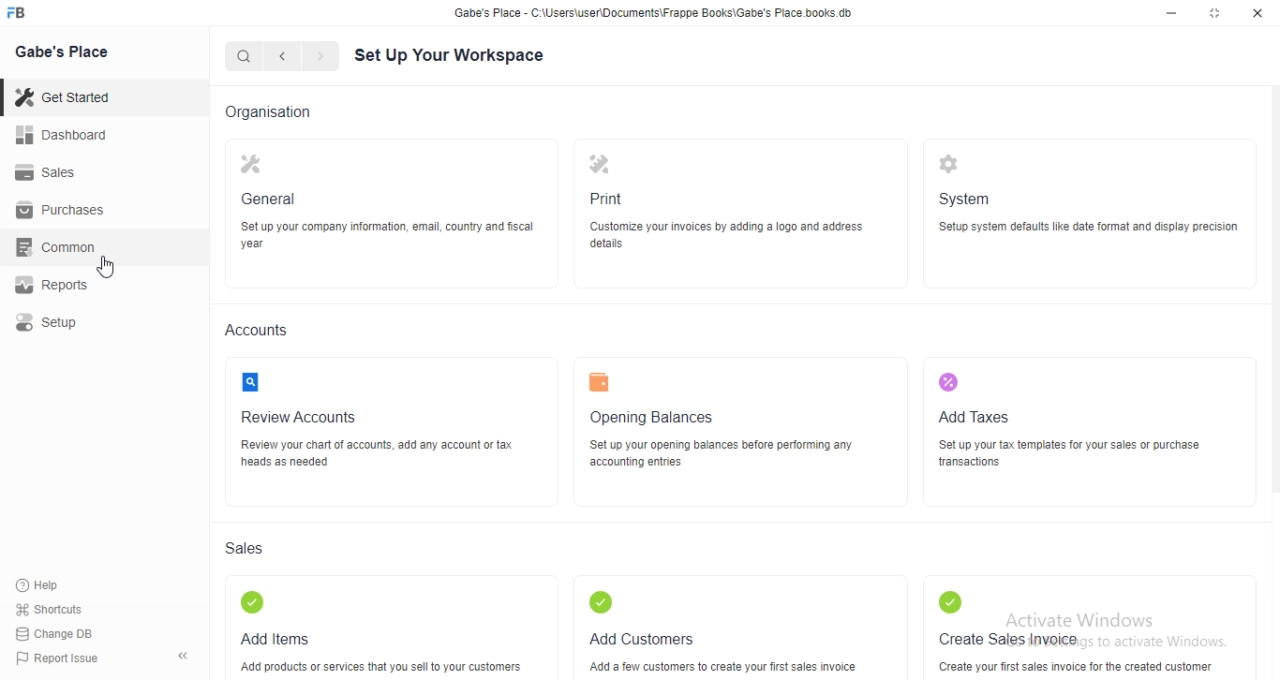 The image size is (1280, 680). I want to click on Set up your opening balances before performing any accounting entries nd, so click(721, 454).